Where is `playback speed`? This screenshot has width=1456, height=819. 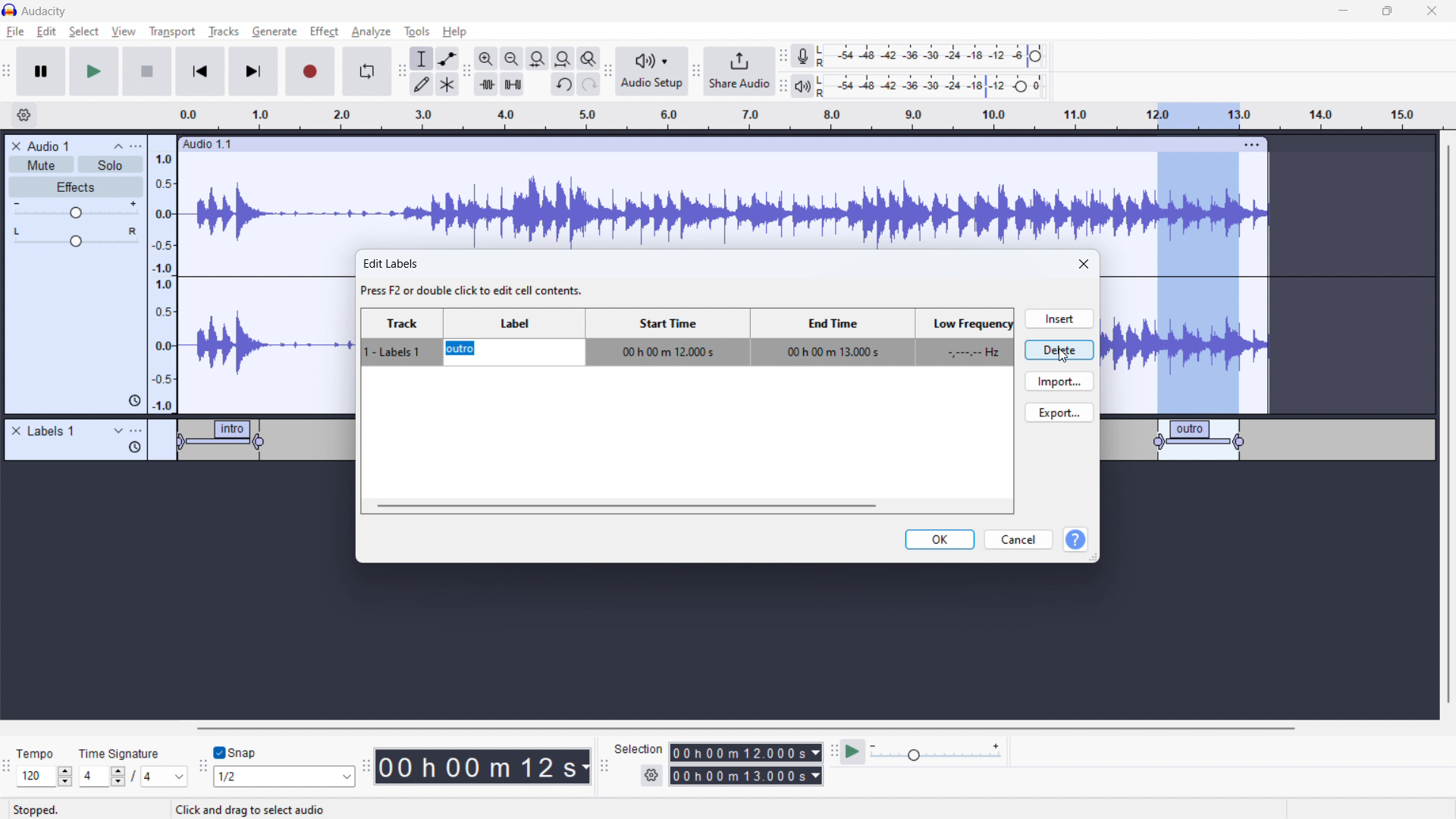
playback speed is located at coordinates (935, 752).